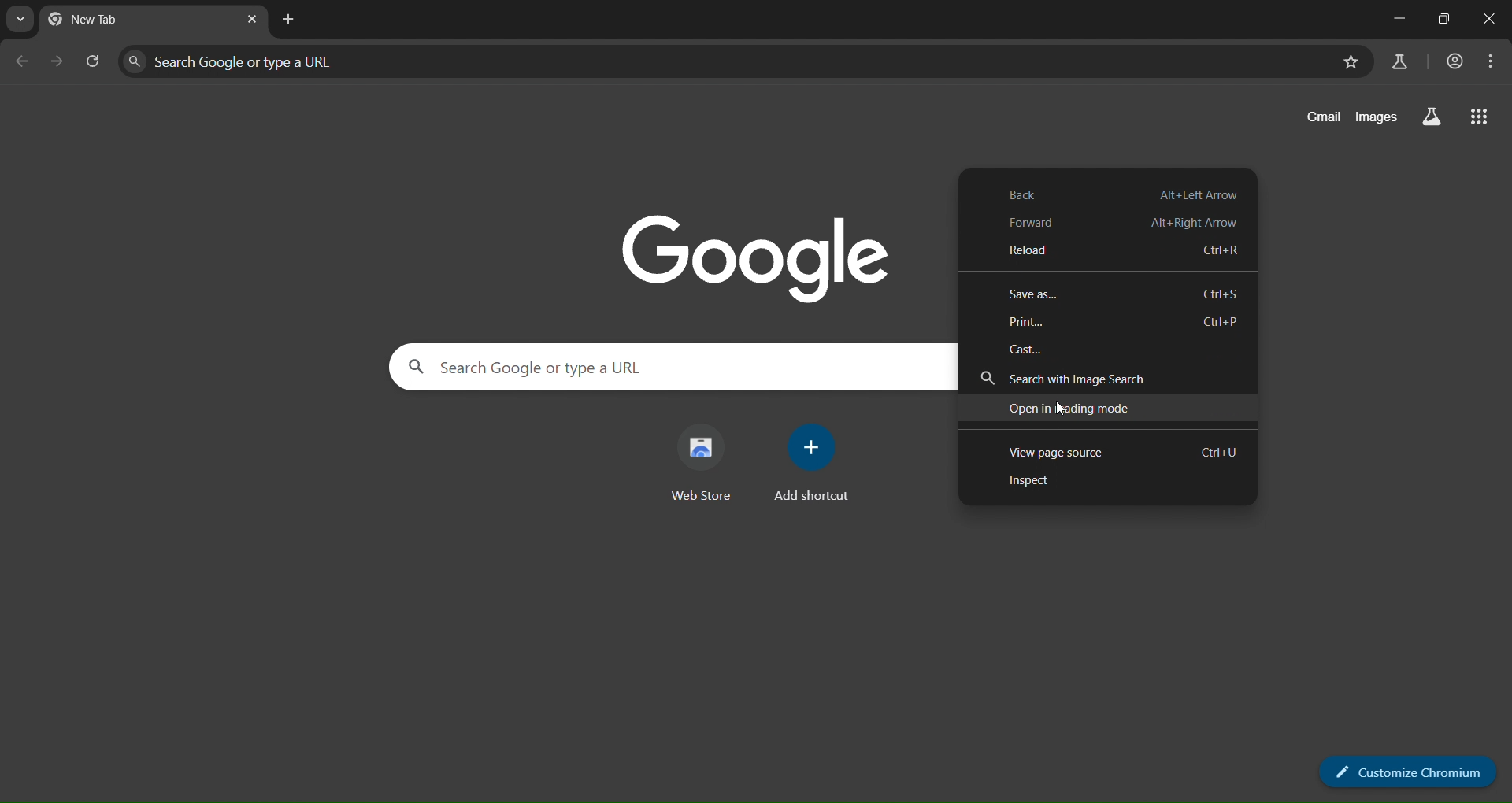 The width and height of the screenshot is (1512, 803). What do you see at coordinates (1375, 118) in the screenshot?
I see `images` at bounding box center [1375, 118].